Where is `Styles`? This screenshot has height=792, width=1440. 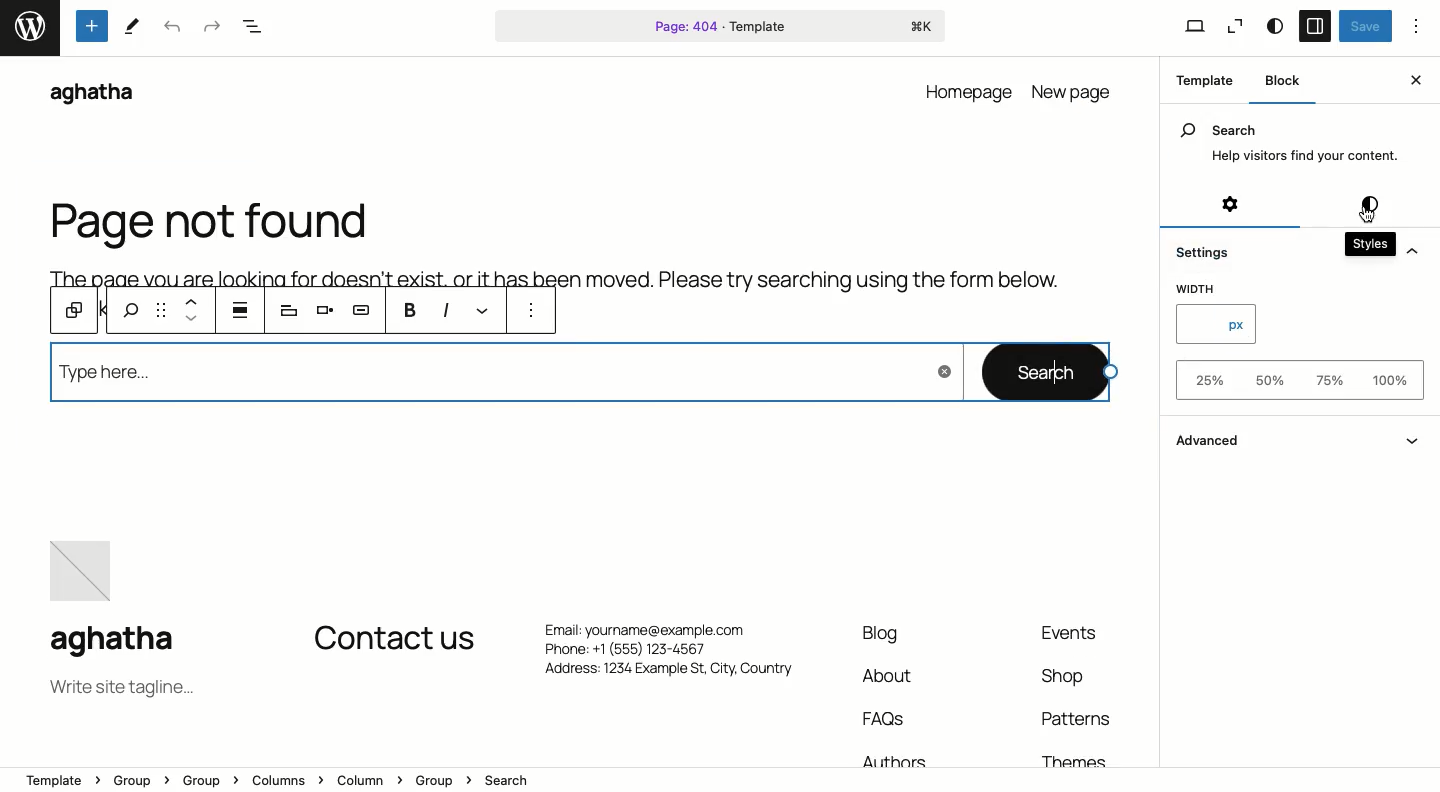 Styles is located at coordinates (1367, 245).